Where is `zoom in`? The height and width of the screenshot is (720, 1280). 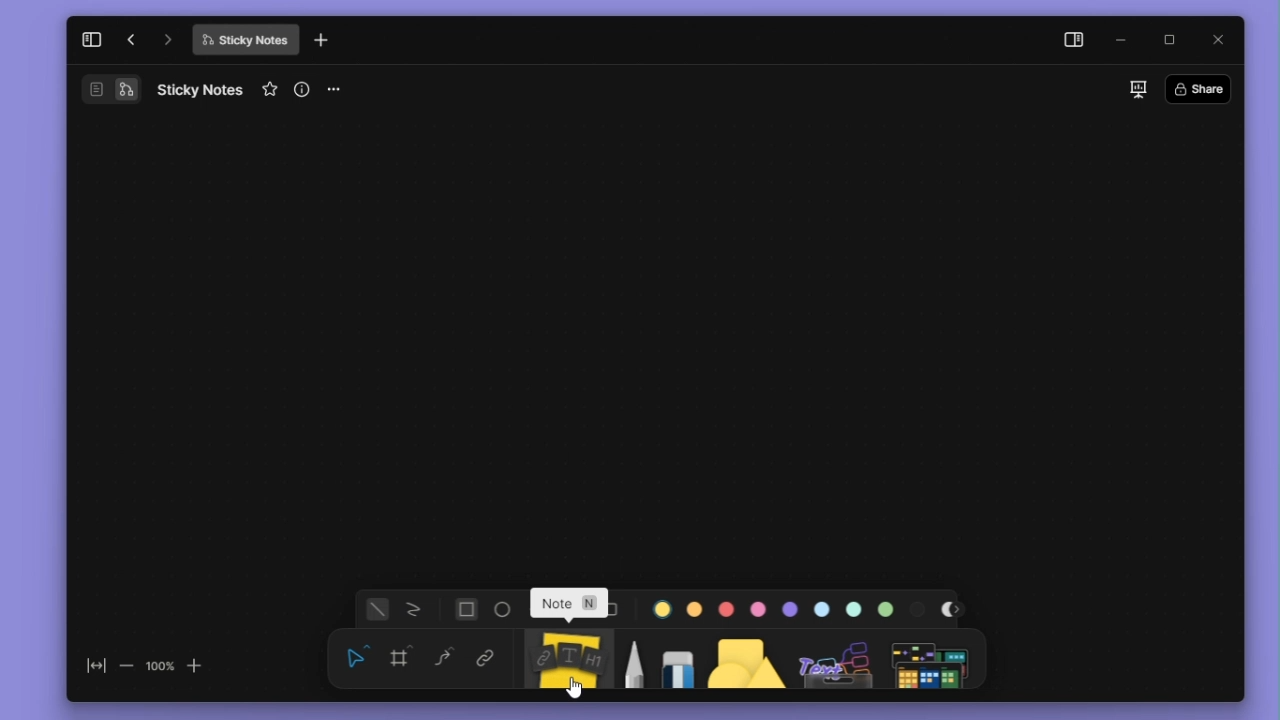
zoom in is located at coordinates (201, 664).